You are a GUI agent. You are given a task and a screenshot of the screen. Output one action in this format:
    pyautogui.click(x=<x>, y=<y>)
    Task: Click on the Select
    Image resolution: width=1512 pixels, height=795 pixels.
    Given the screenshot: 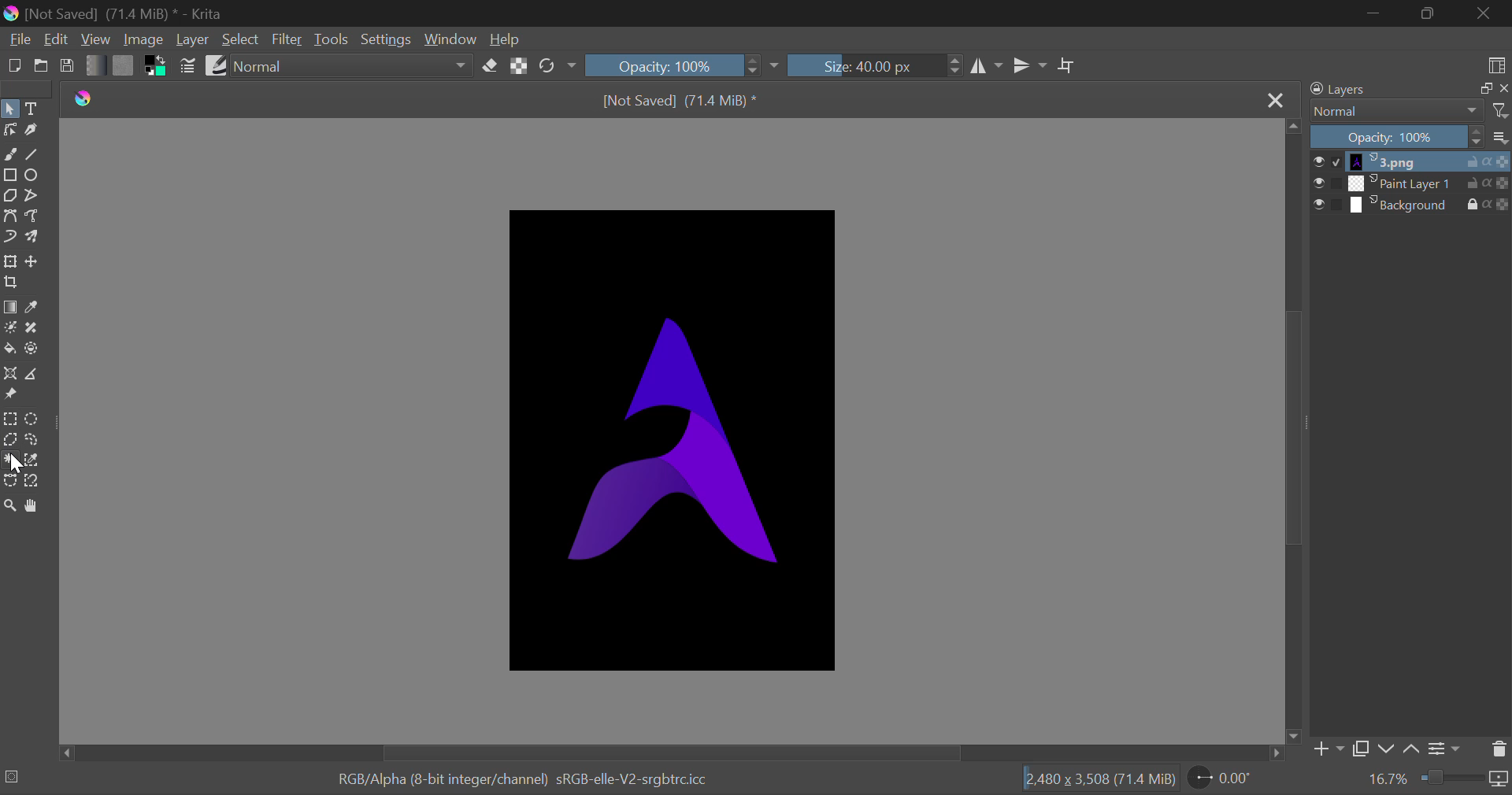 What is the action you would take?
    pyautogui.click(x=9, y=109)
    